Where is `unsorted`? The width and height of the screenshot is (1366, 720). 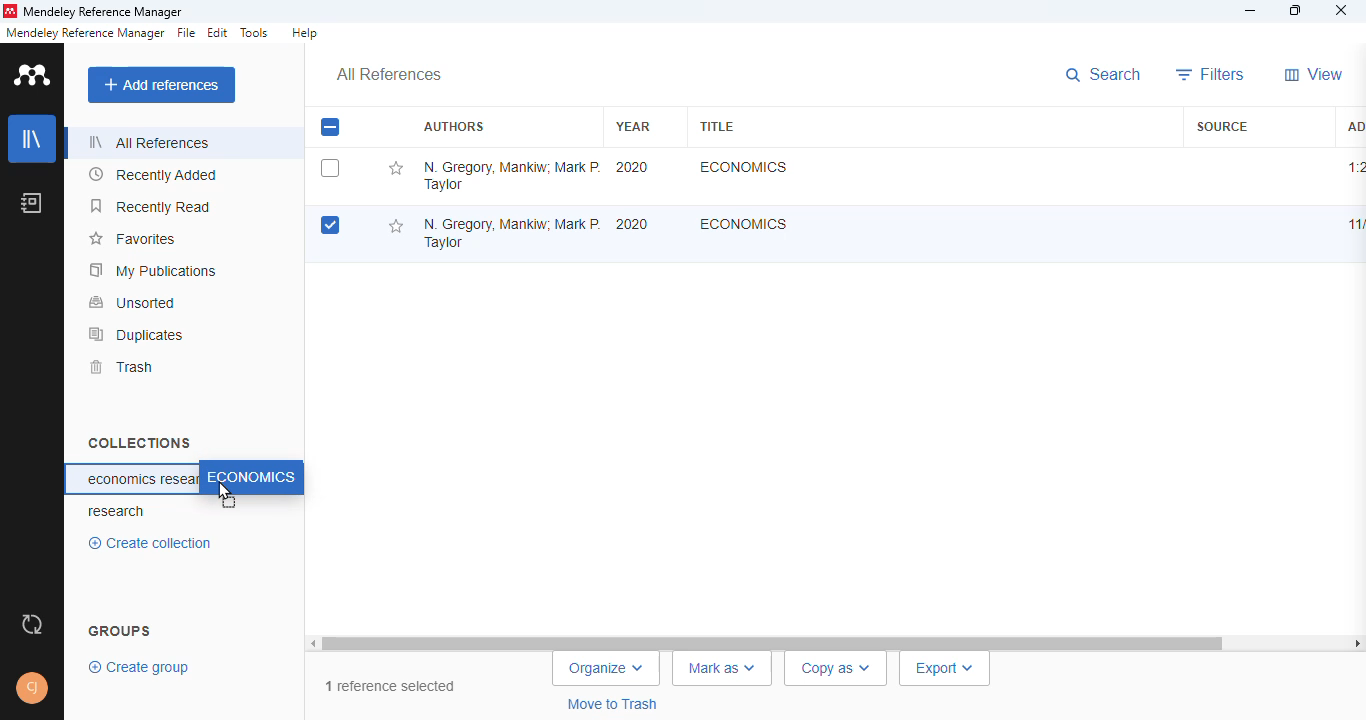 unsorted is located at coordinates (133, 302).